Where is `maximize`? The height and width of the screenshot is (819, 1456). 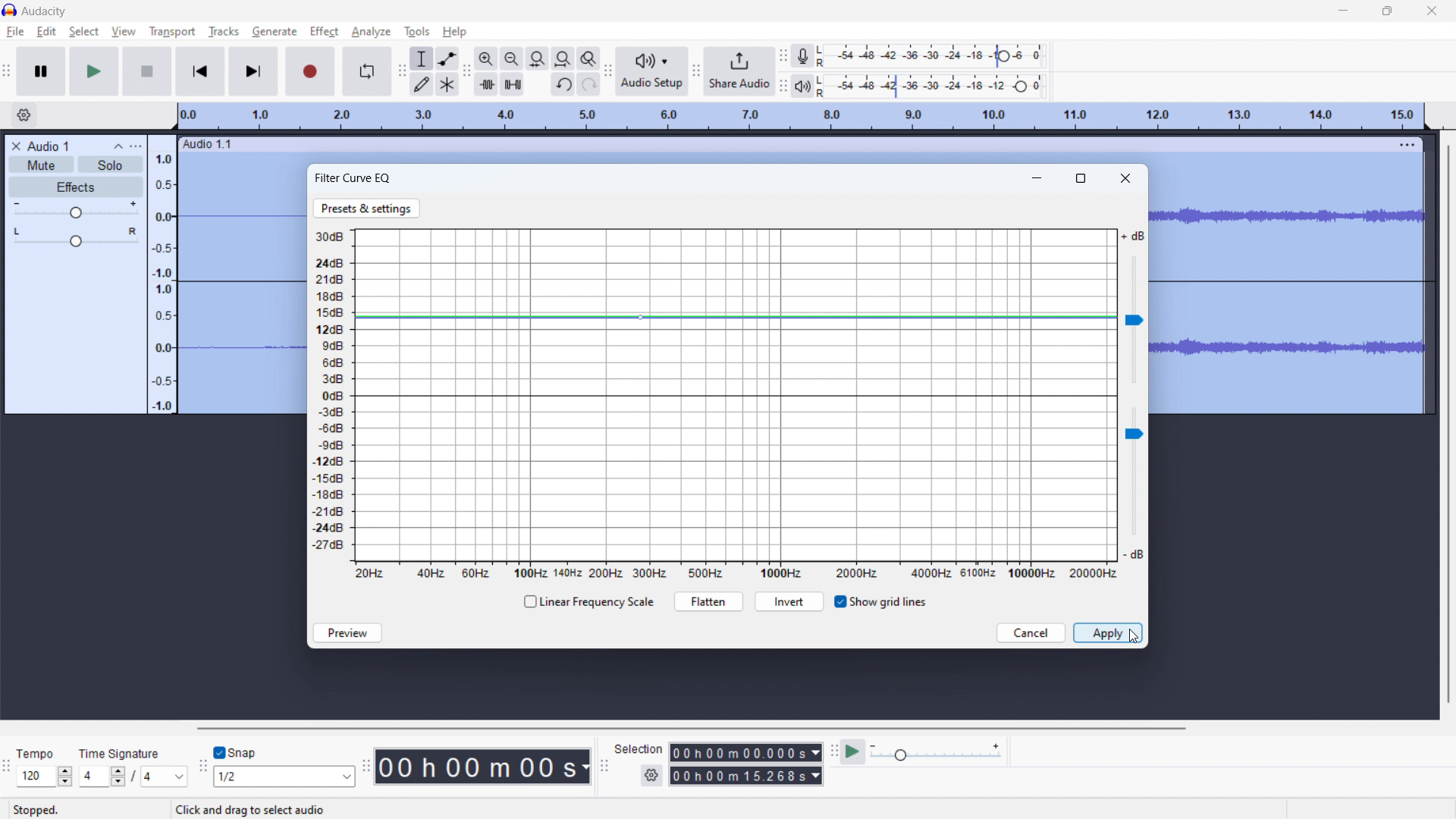
maximize is located at coordinates (1082, 177).